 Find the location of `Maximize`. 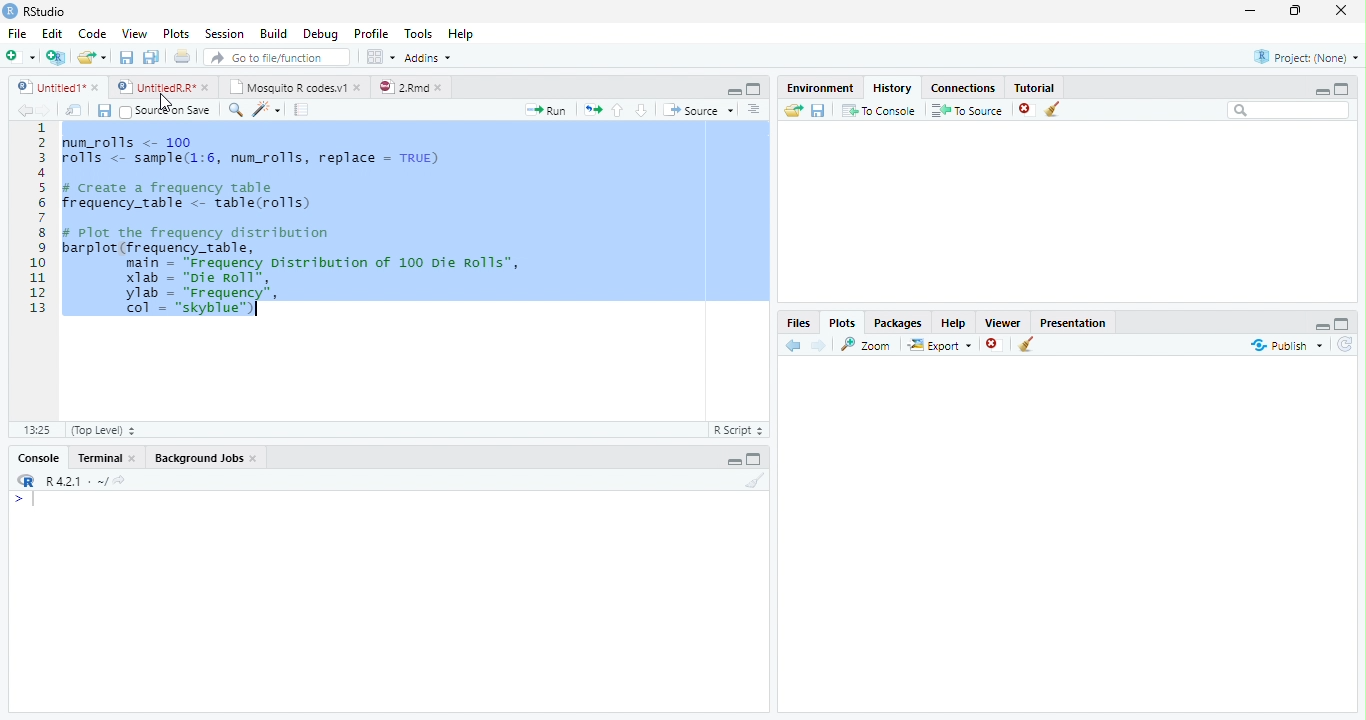

Maximize is located at coordinates (1296, 11).